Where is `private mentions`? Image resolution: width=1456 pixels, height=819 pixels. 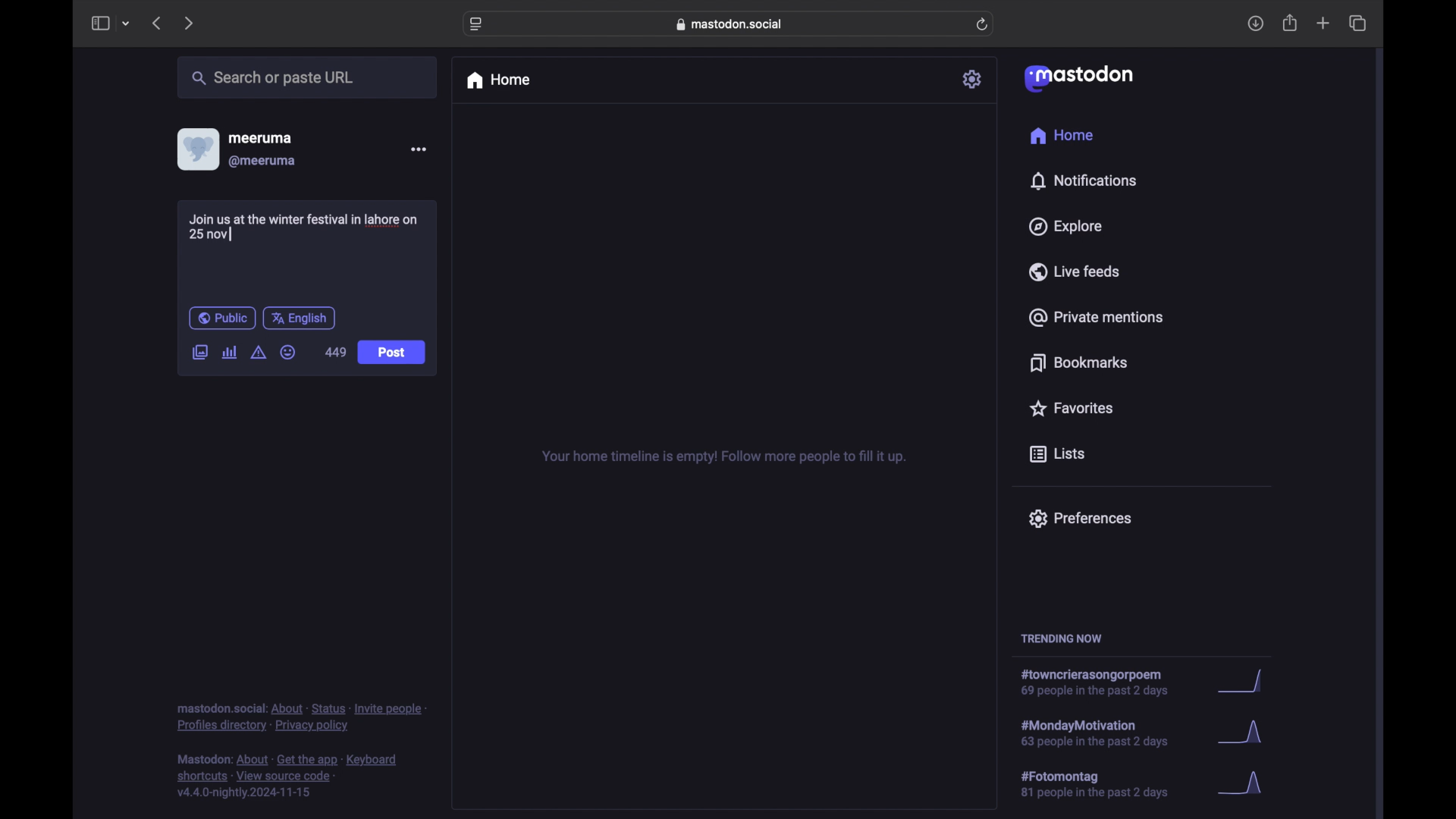 private mentions is located at coordinates (1097, 317).